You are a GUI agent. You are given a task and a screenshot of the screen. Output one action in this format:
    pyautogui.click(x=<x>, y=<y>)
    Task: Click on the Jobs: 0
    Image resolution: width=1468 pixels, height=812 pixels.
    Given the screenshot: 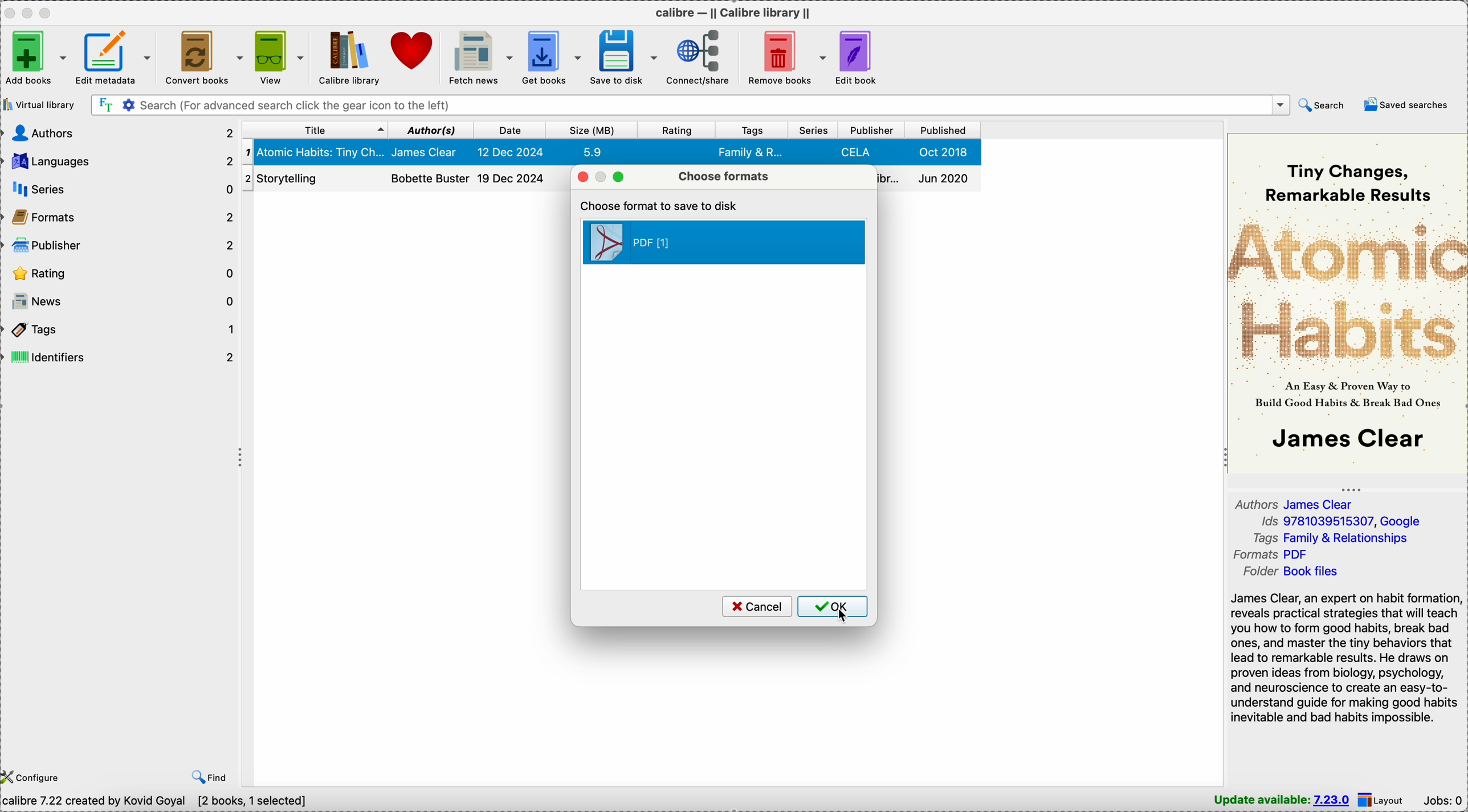 What is the action you would take?
    pyautogui.click(x=1442, y=799)
    